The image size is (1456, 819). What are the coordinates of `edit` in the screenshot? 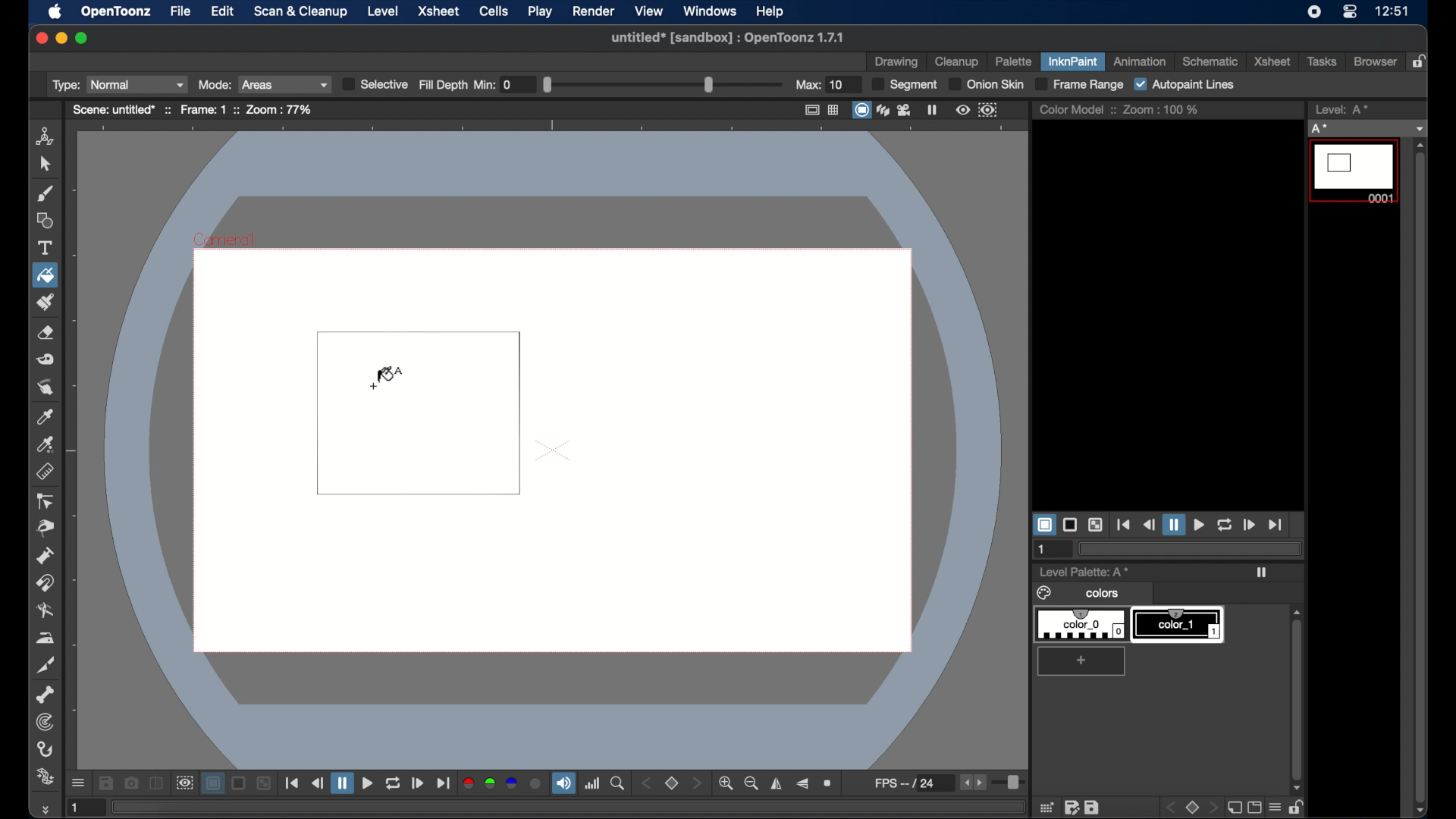 It's located at (1072, 807).